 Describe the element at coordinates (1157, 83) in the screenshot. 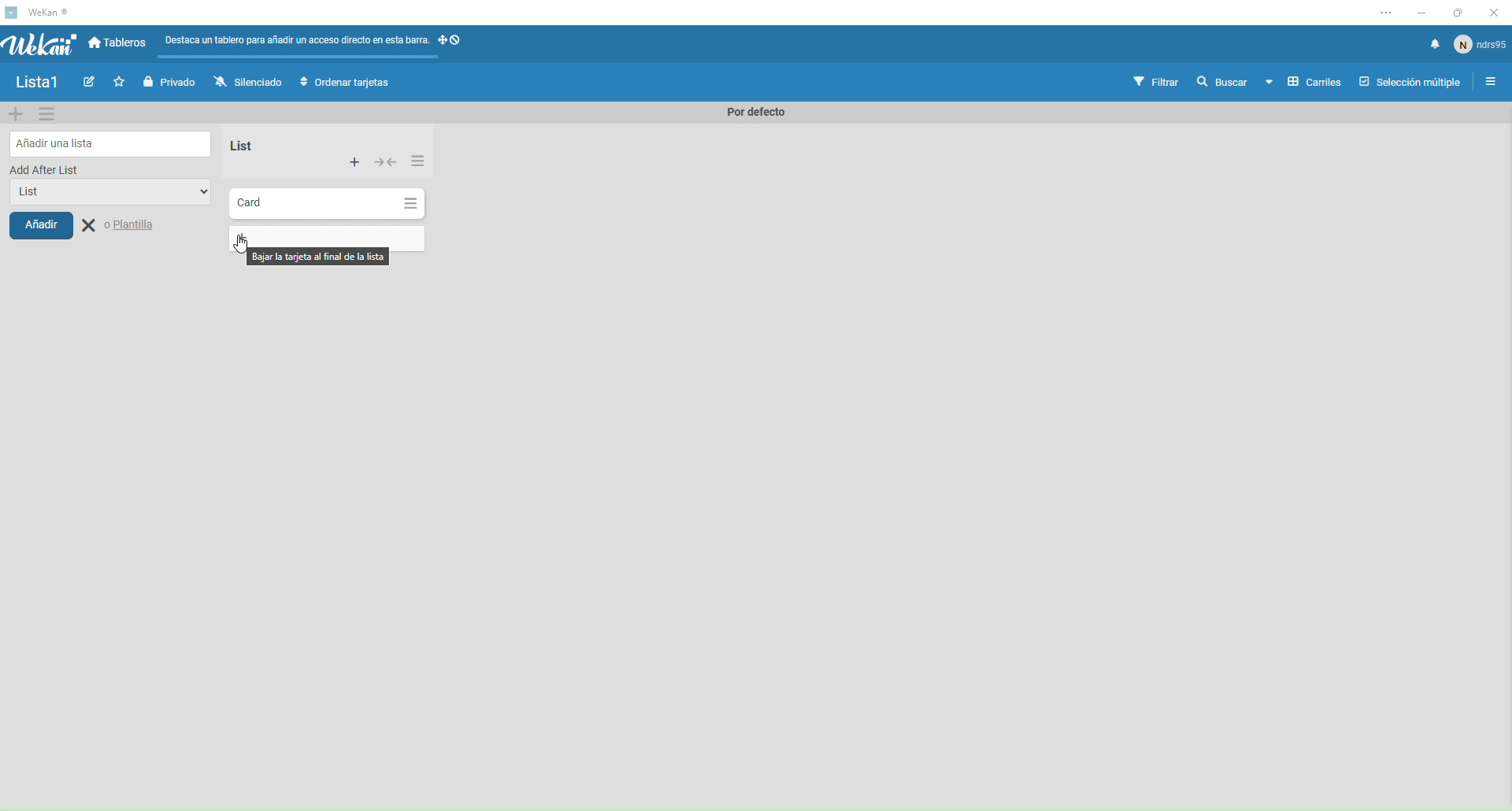

I see `Filter` at that location.